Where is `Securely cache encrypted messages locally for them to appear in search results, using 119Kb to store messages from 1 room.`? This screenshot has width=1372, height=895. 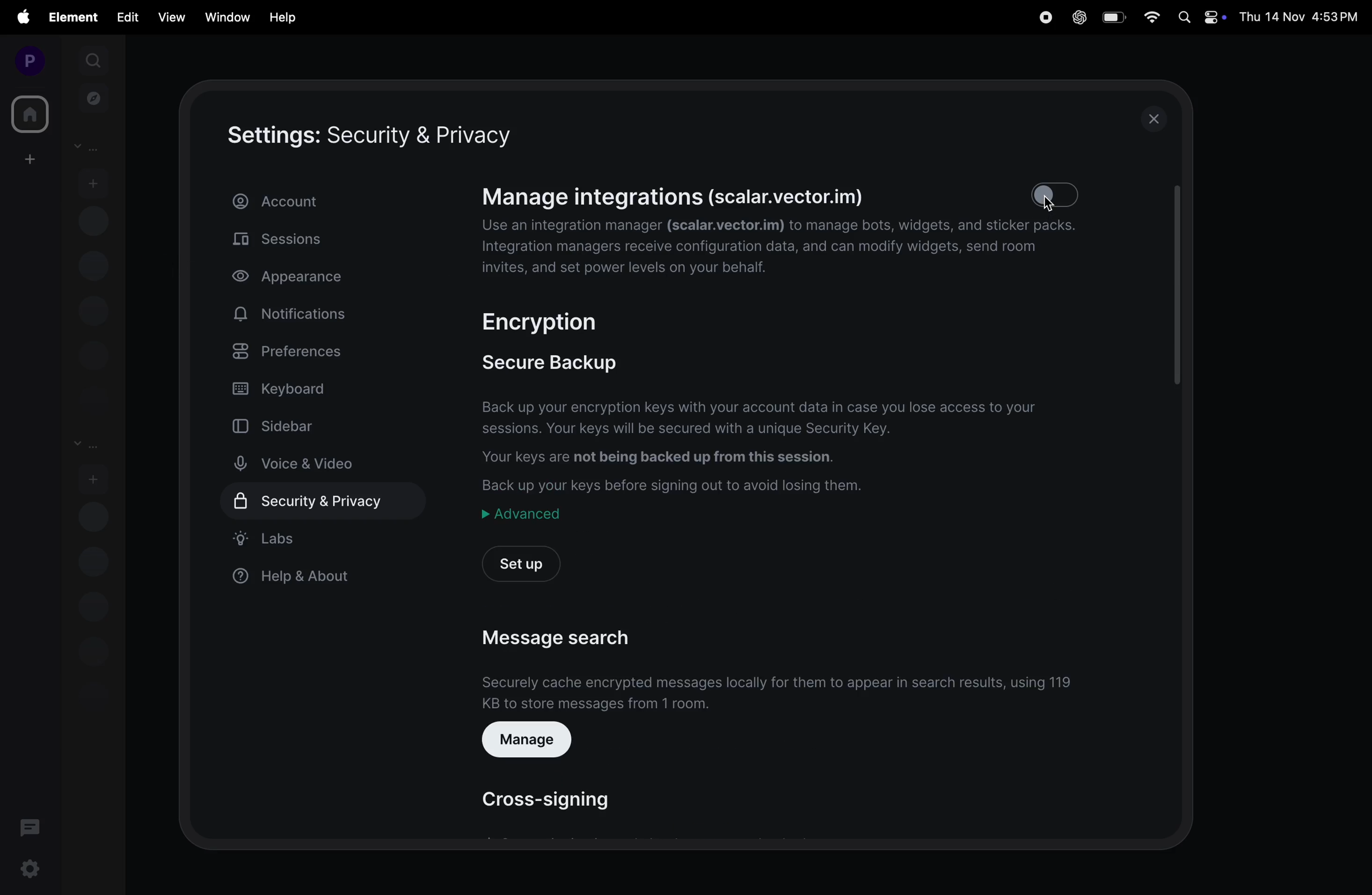
Securely cache encrypted messages locally for them to appear in search results, using 119Kb to store messages from 1 room. is located at coordinates (775, 690).